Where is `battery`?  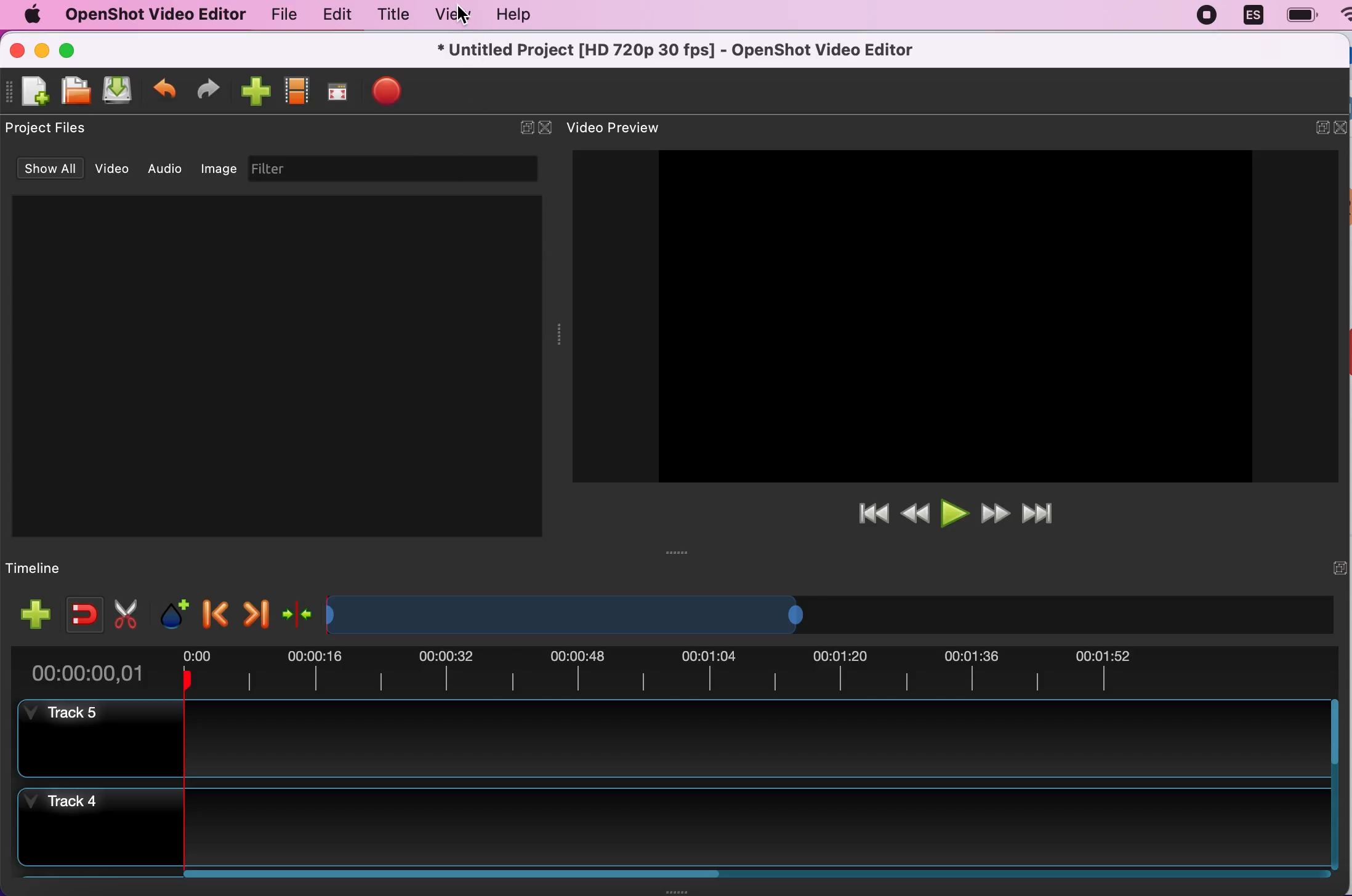
battery is located at coordinates (1297, 15).